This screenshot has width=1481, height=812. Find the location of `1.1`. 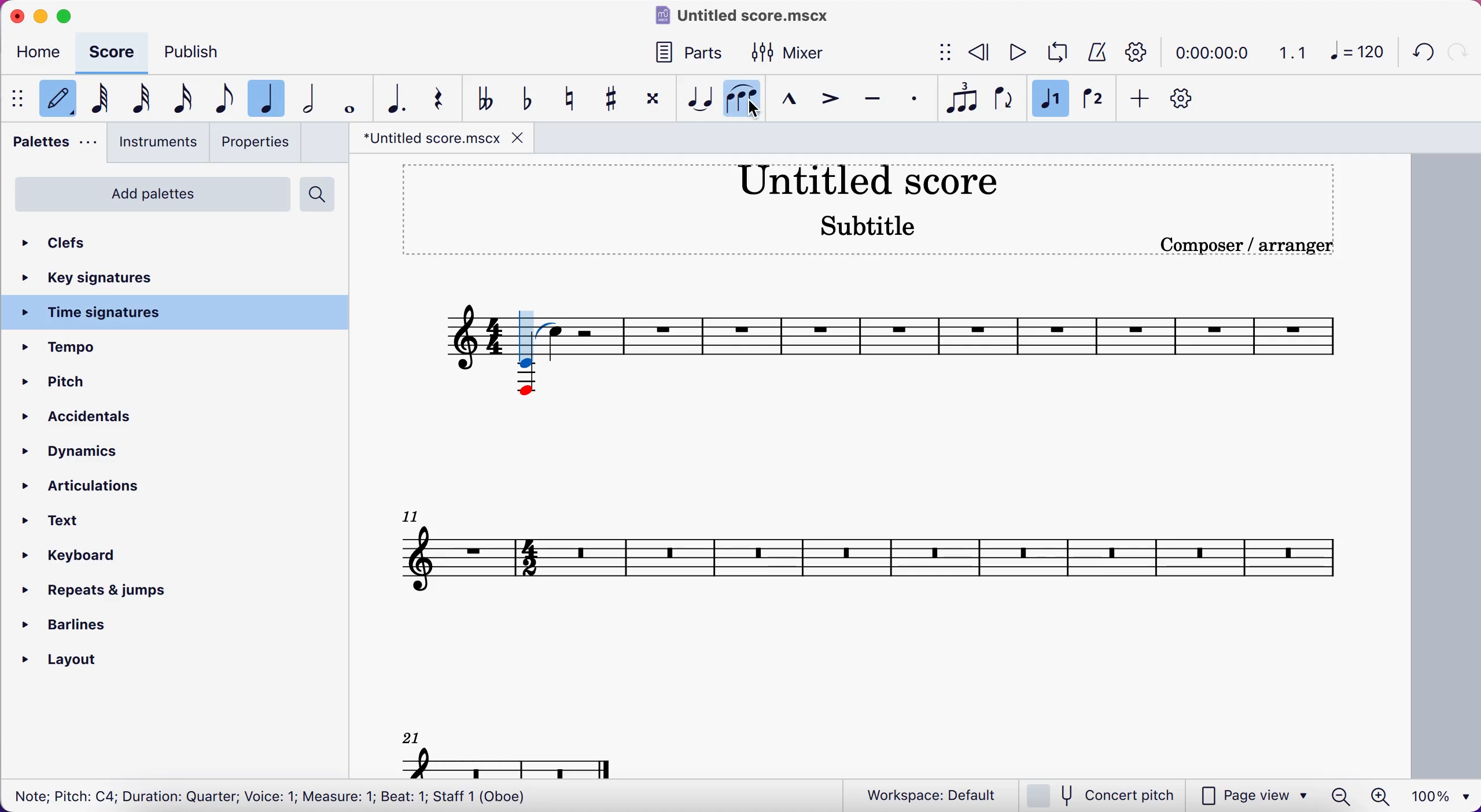

1.1 is located at coordinates (1291, 52).